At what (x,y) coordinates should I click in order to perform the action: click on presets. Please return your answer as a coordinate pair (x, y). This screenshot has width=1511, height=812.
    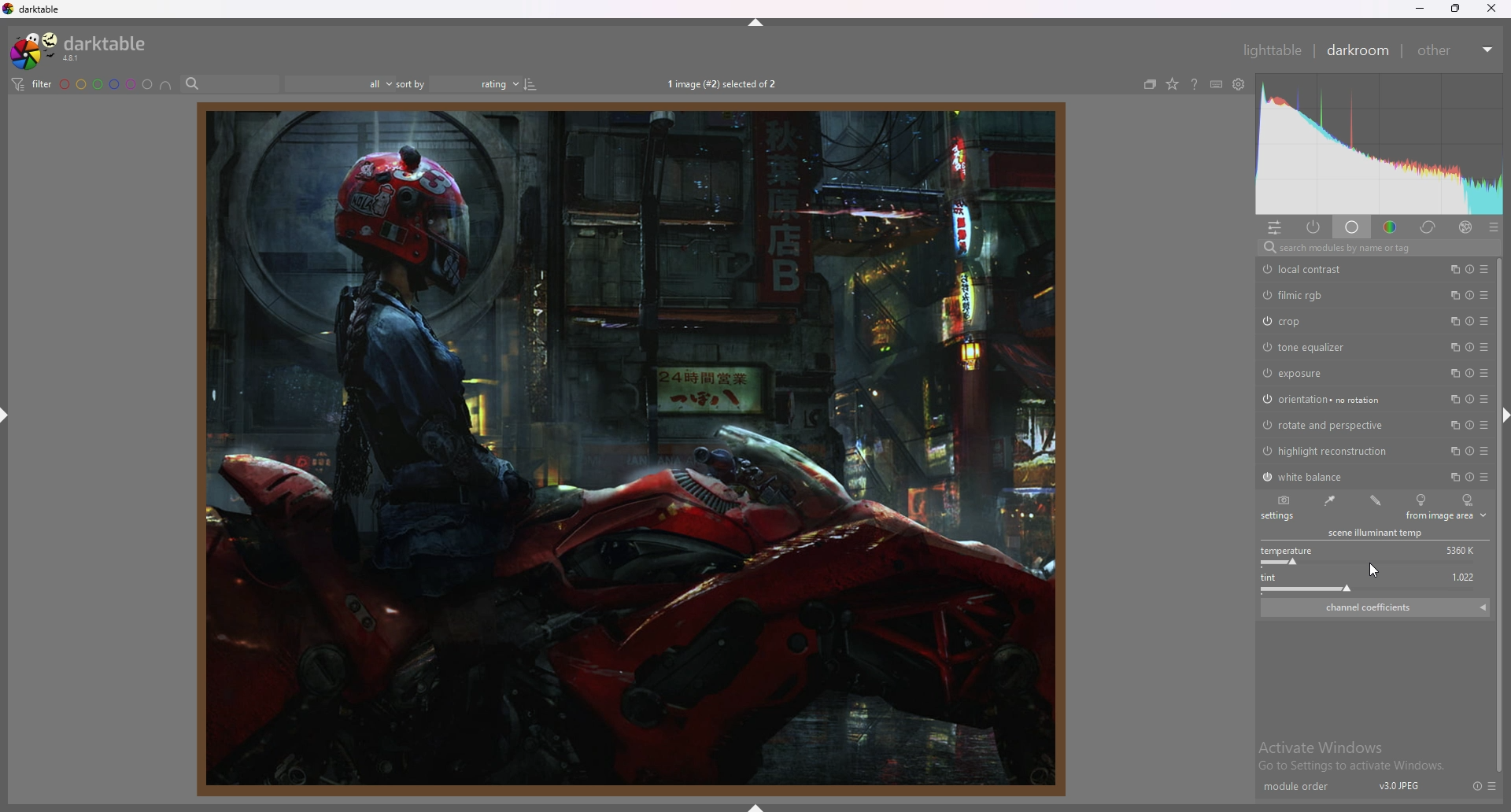
    Looking at the image, I should click on (1484, 295).